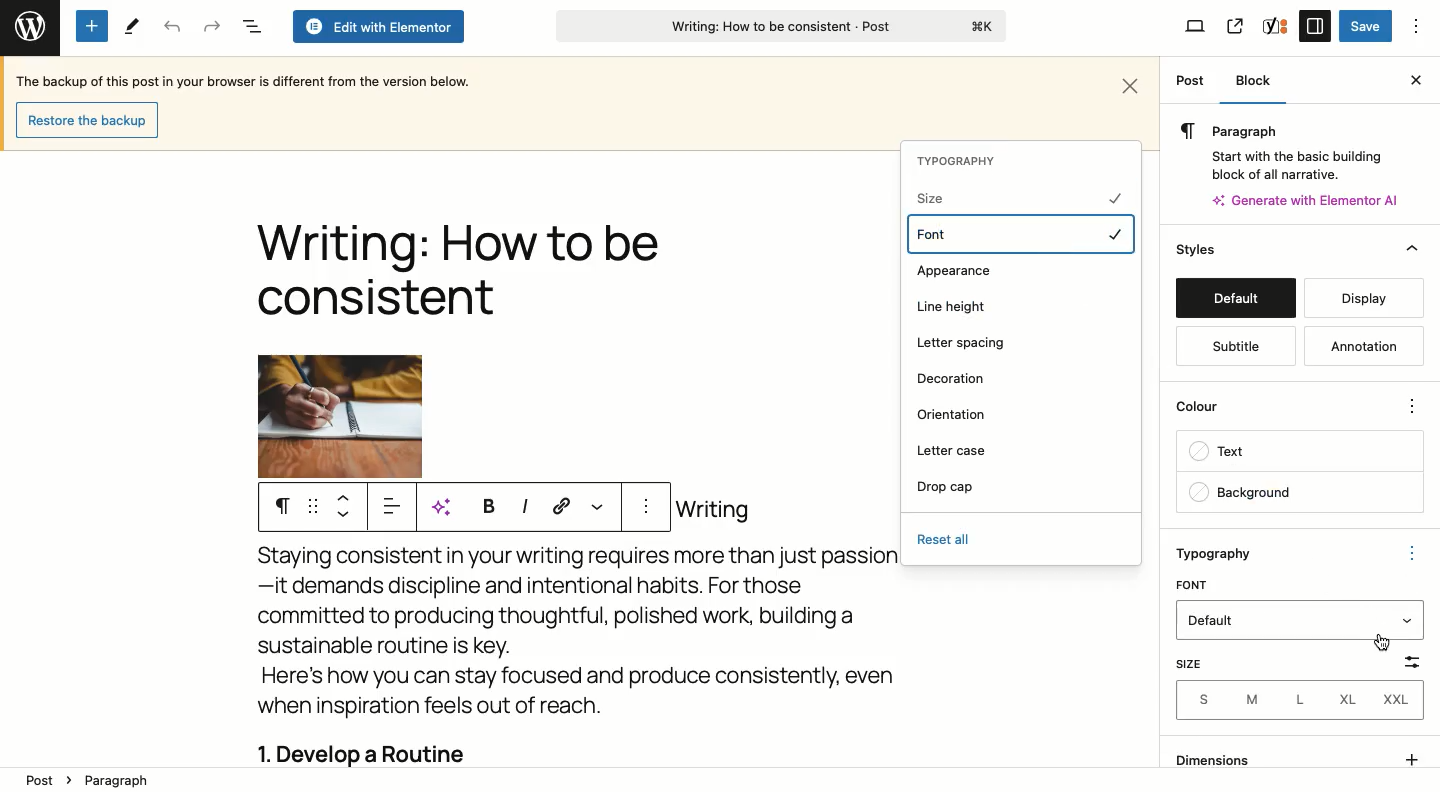 The width and height of the screenshot is (1440, 792). I want to click on Document overview, so click(251, 27).